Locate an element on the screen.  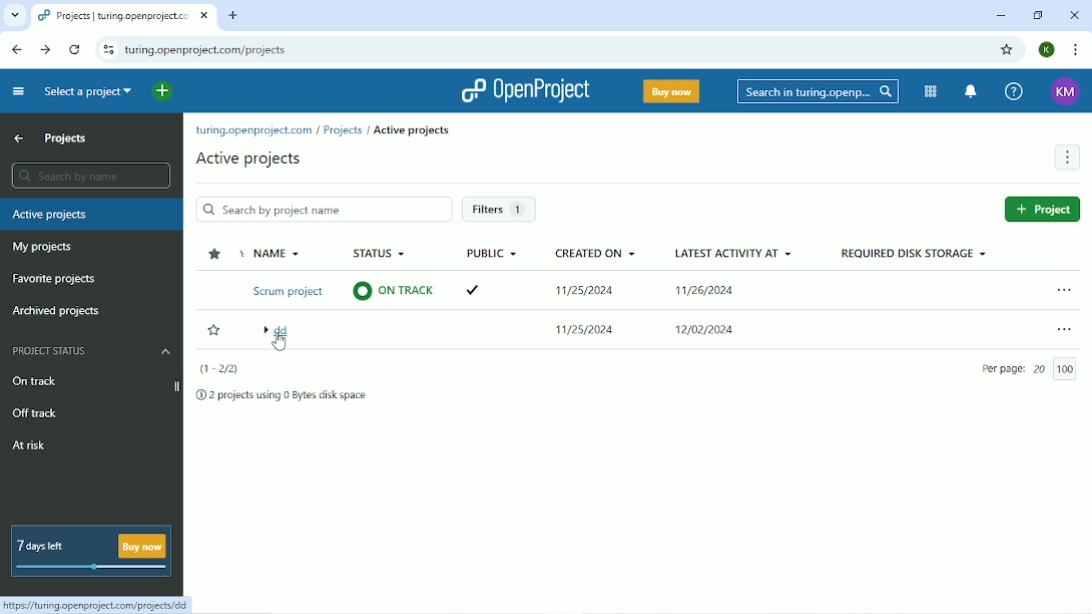
View site information is located at coordinates (107, 49).